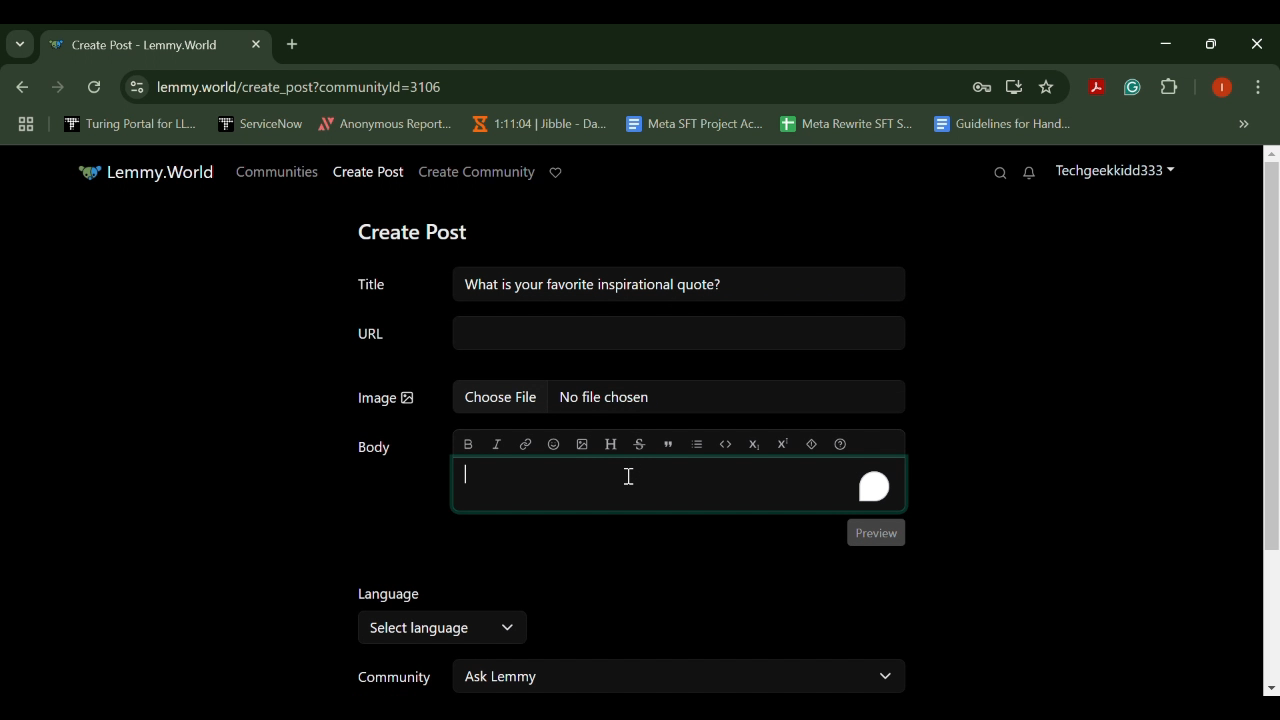 This screenshot has height=720, width=1280. I want to click on 1:11:04 | Jibble - Da..., so click(538, 124).